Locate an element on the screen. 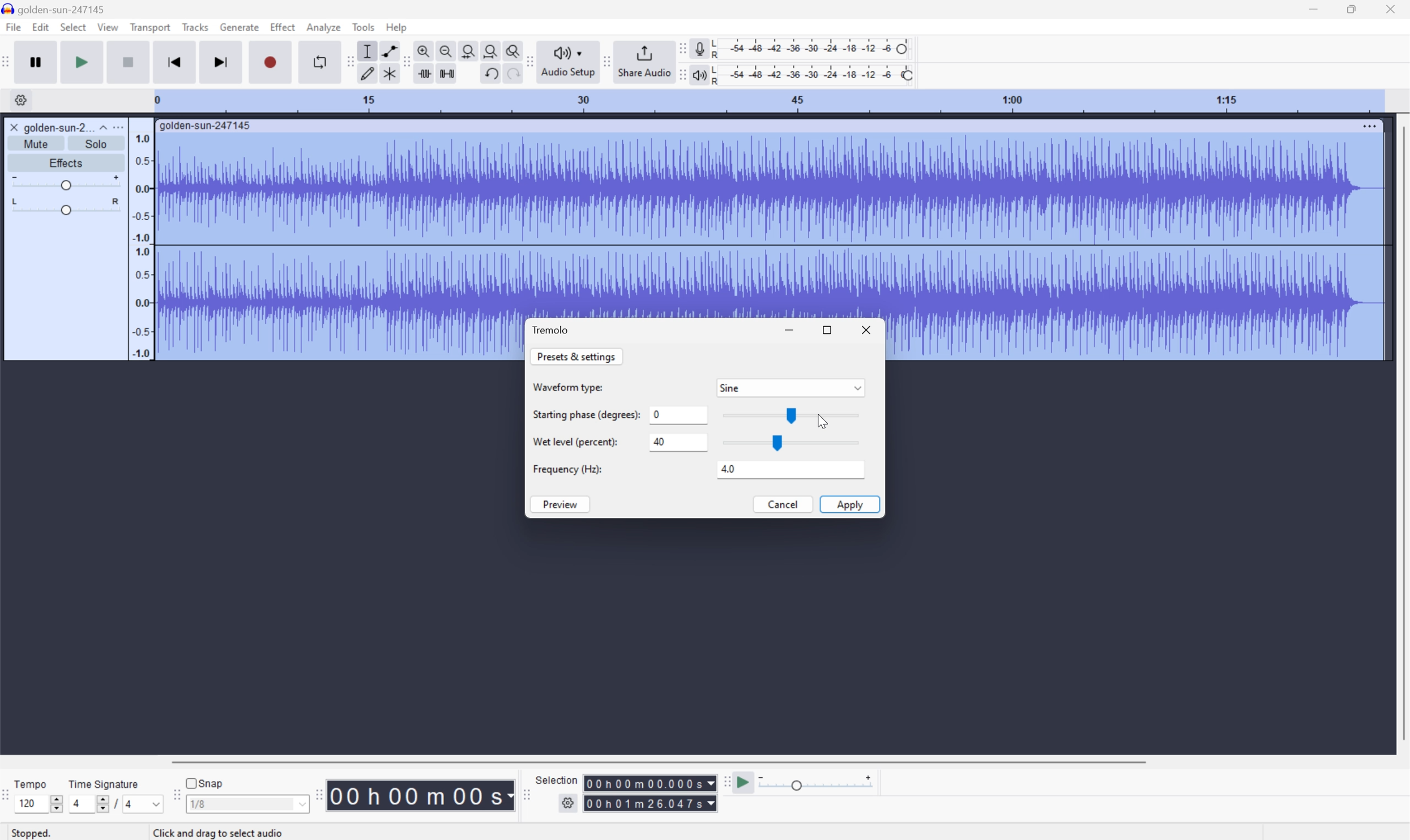 Image resolution: width=1410 pixels, height=840 pixels. Share audio is located at coordinates (644, 62).